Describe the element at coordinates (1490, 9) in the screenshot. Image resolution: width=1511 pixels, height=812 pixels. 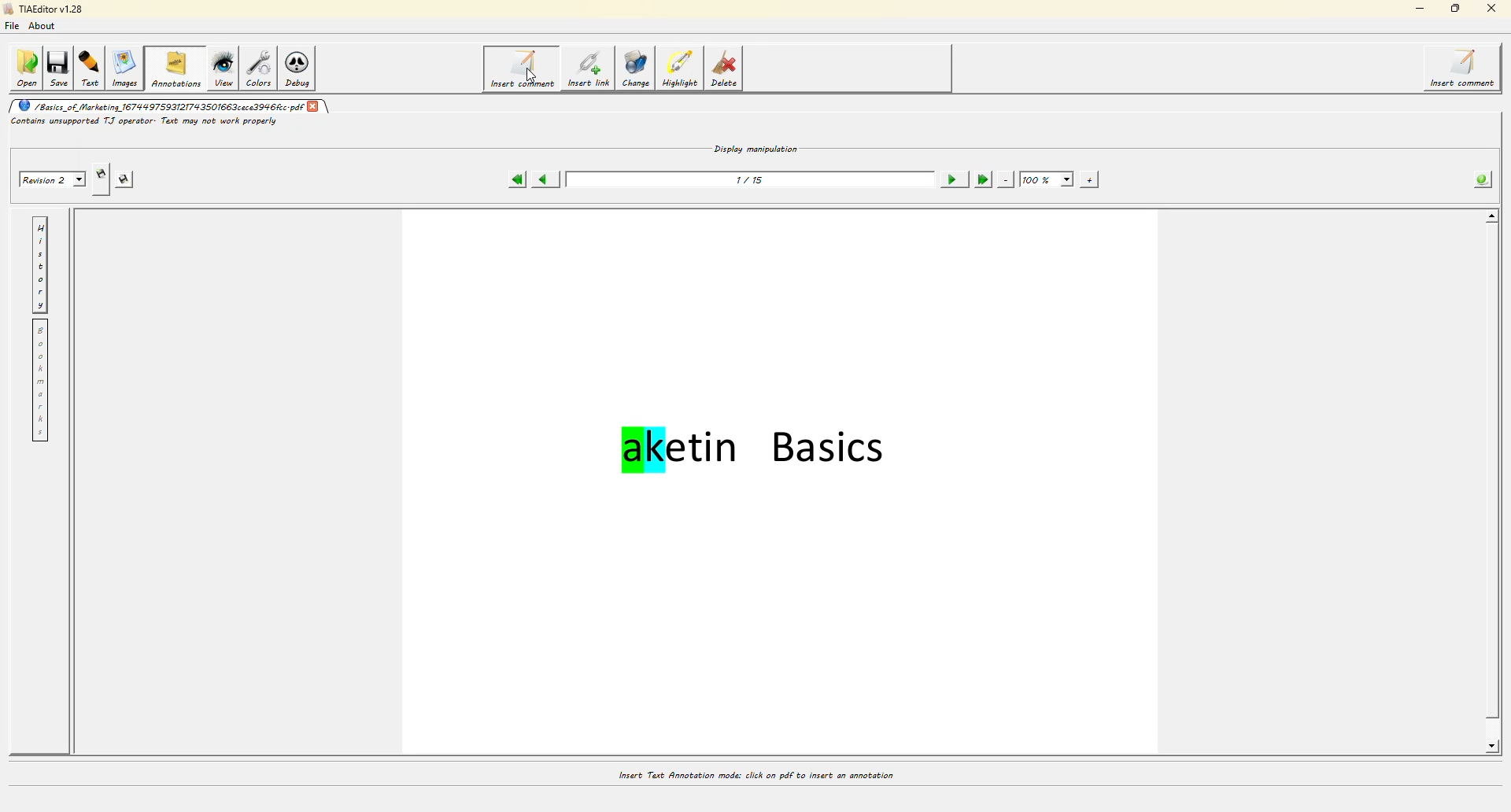
I see `close` at that location.